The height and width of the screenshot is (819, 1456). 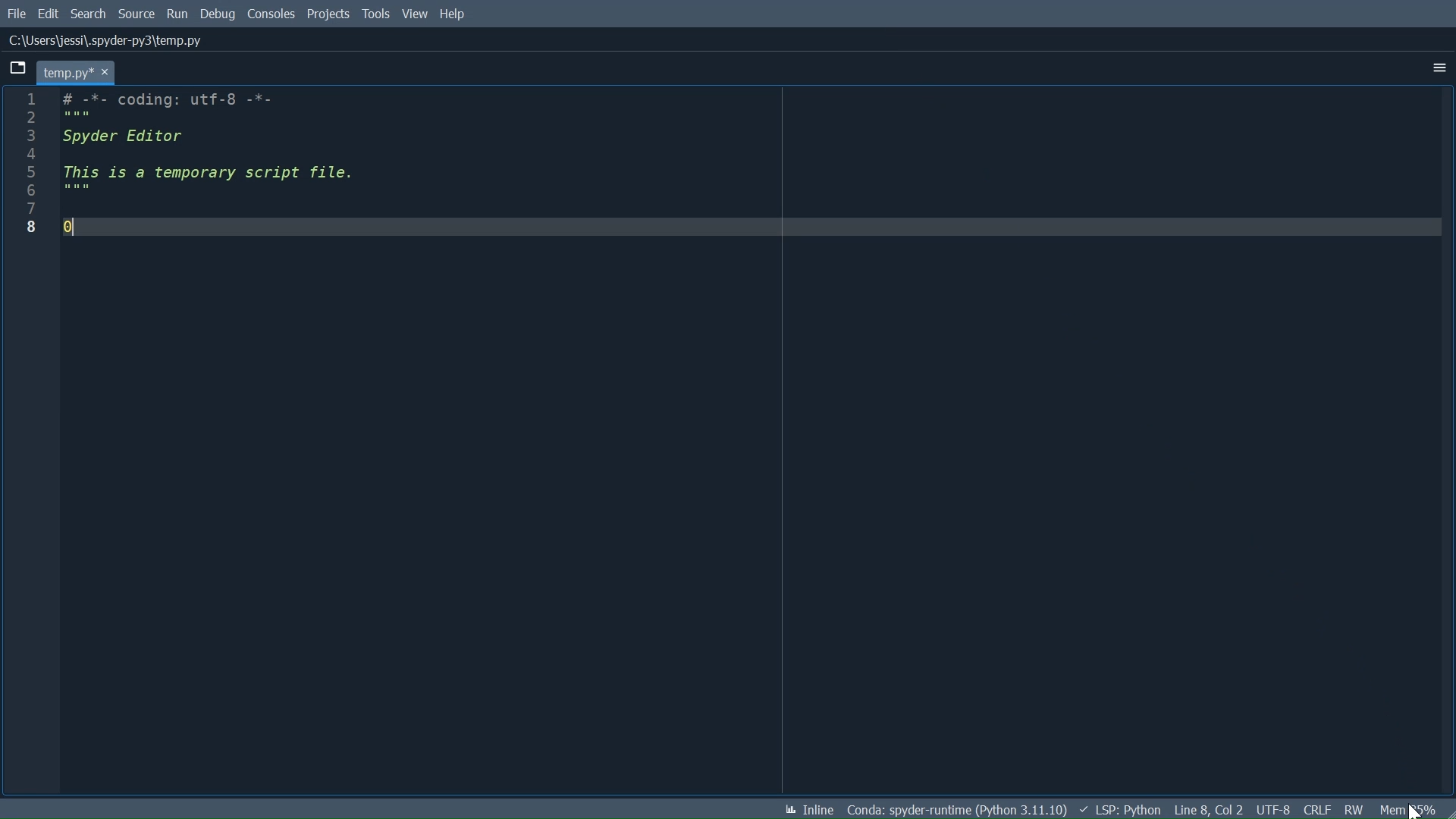 I want to click on C:\users\jessi\.spyderer-py3\temp.py, so click(x=107, y=40).